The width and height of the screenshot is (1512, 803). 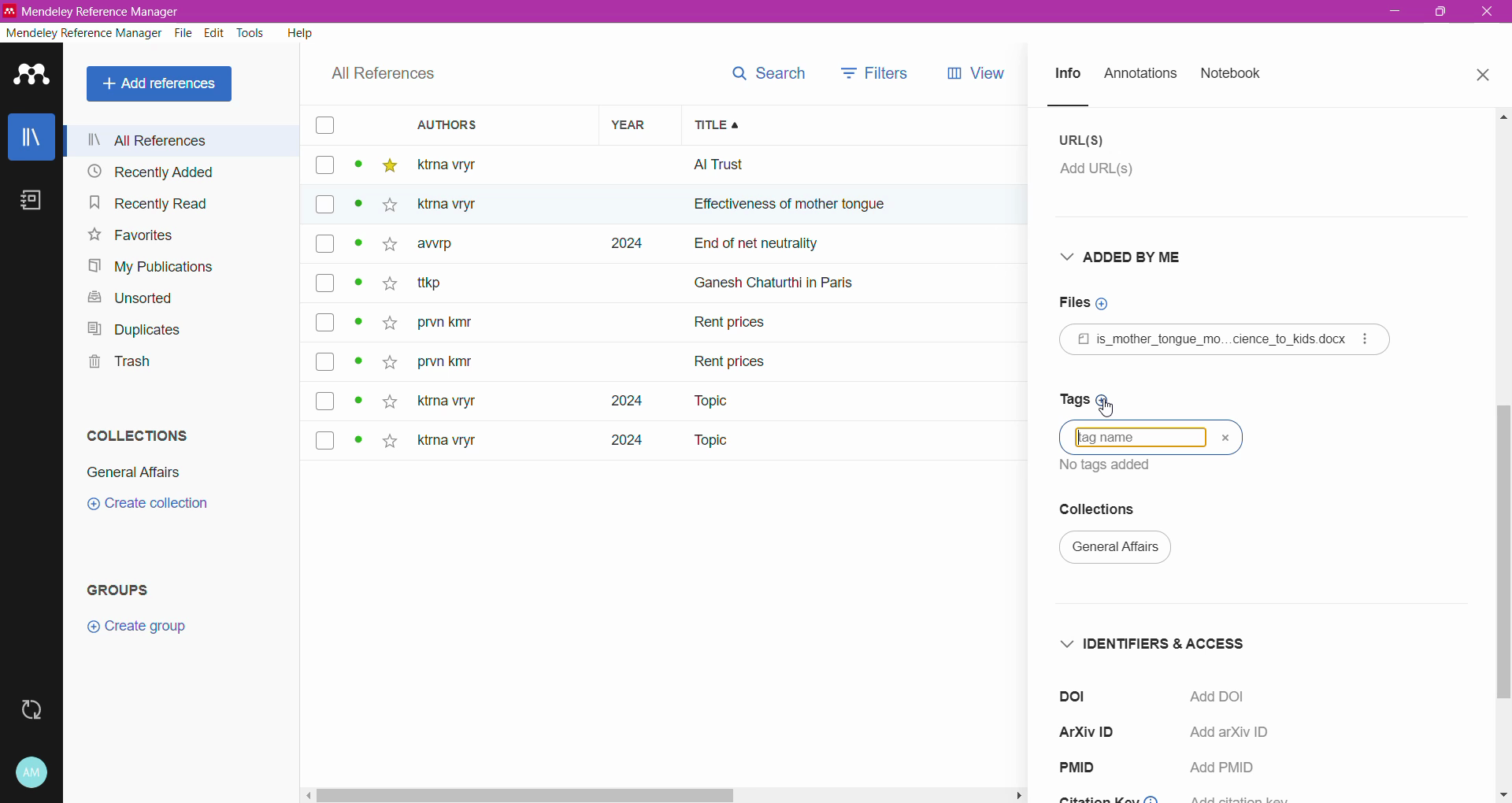 What do you see at coordinates (875, 72) in the screenshot?
I see `filters ` at bounding box center [875, 72].